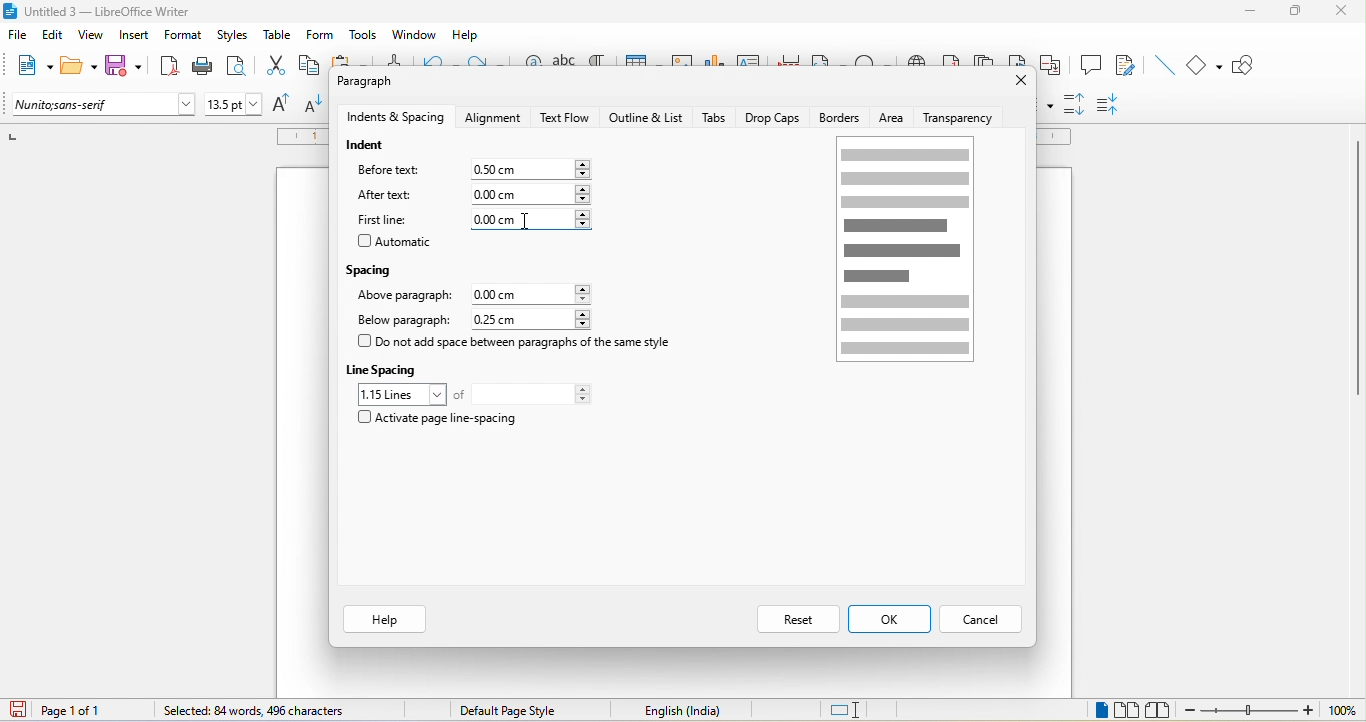 The height and width of the screenshot is (722, 1366). What do you see at coordinates (364, 417) in the screenshot?
I see `checkbox` at bounding box center [364, 417].